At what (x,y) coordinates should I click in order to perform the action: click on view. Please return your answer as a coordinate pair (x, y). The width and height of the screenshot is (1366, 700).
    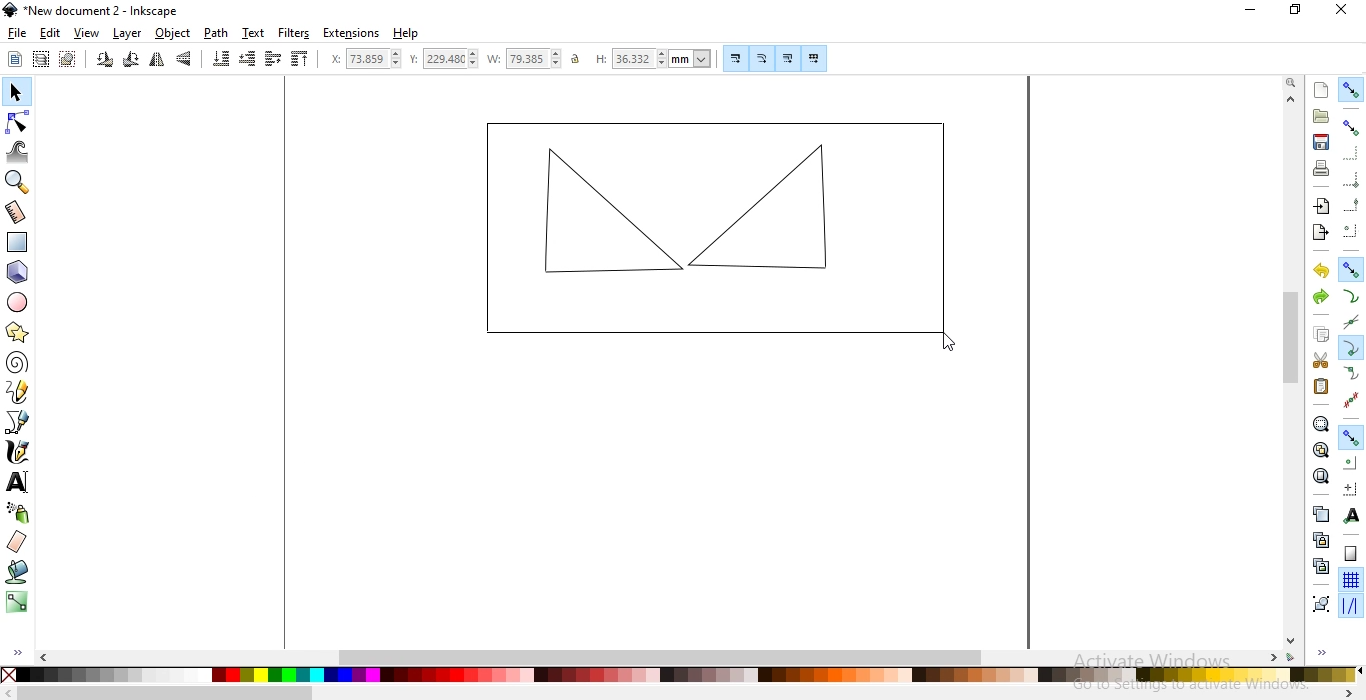
    Looking at the image, I should click on (87, 34).